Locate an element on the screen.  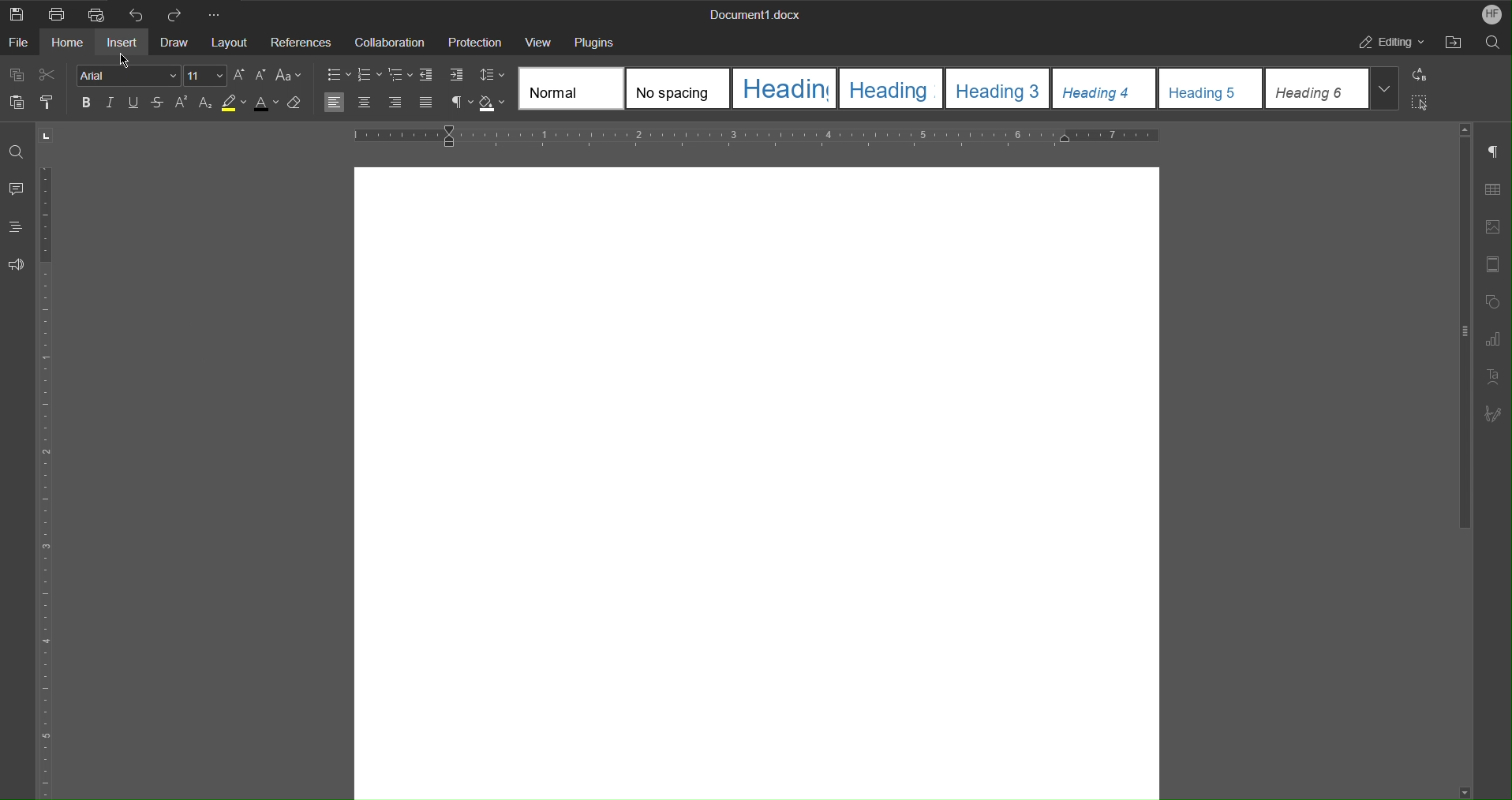
Strikethrough is located at coordinates (159, 103).